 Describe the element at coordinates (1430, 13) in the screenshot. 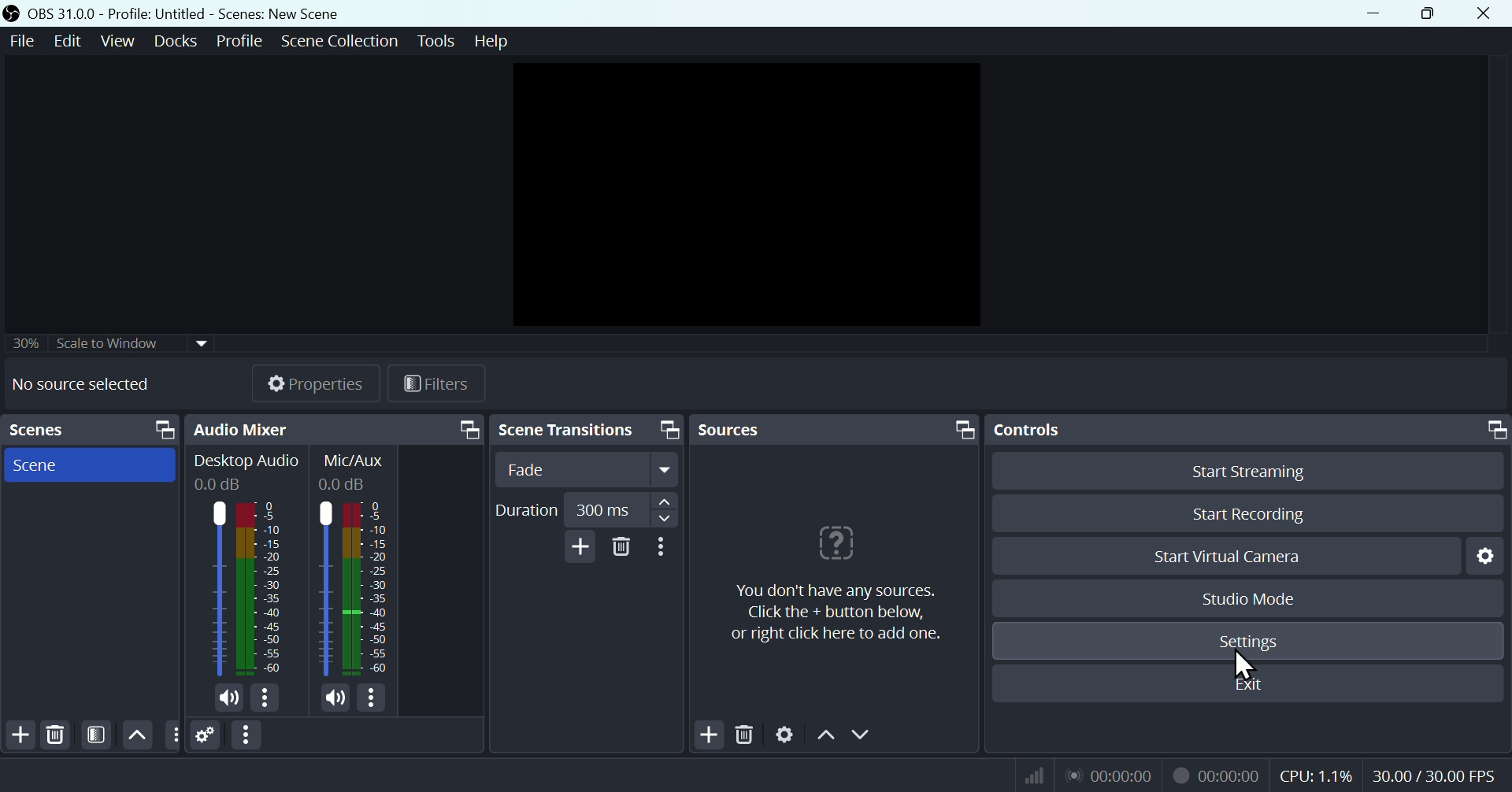

I see `Maximise` at that location.